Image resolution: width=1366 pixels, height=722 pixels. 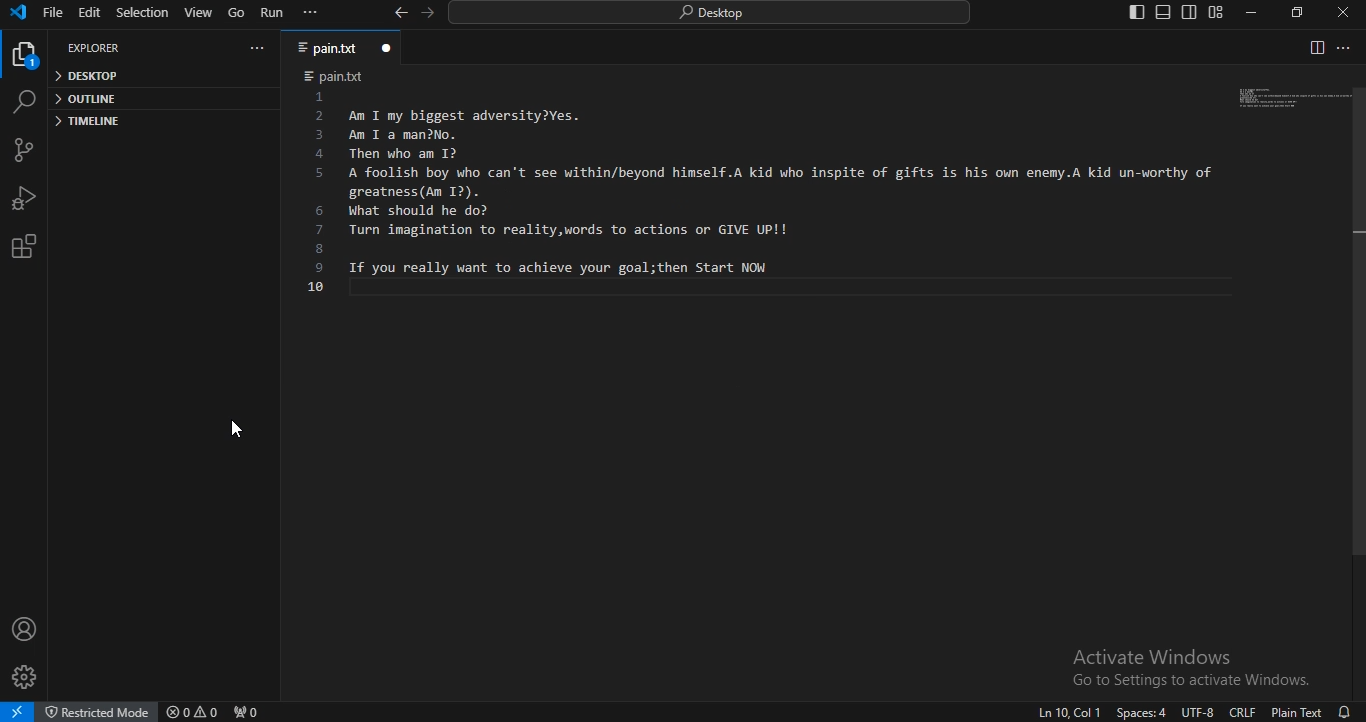 What do you see at coordinates (97, 48) in the screenshot?
I see `explorer` at bounding box center [97, 48].